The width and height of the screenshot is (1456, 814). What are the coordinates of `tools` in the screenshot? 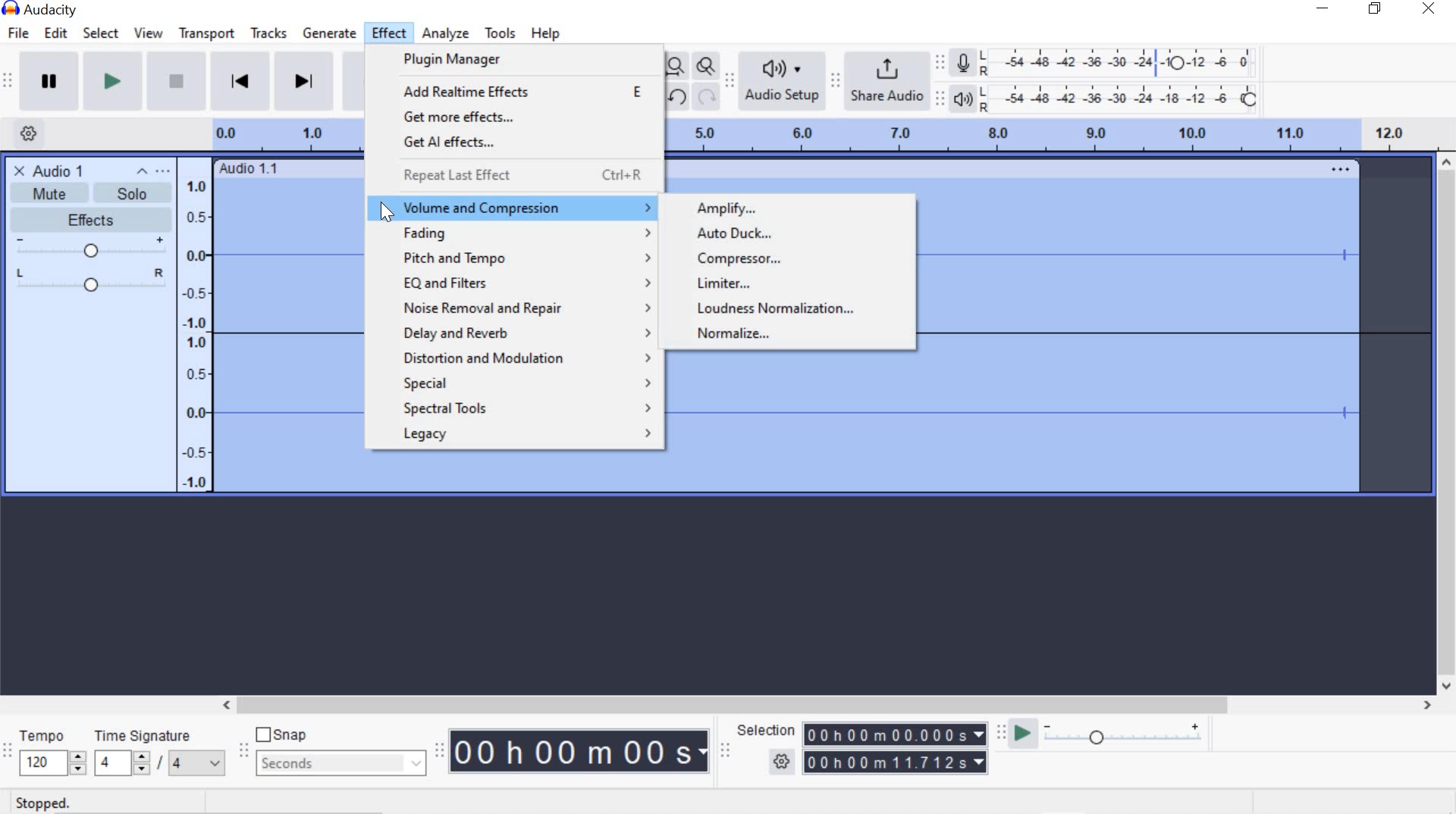 It's located at (500, 33).